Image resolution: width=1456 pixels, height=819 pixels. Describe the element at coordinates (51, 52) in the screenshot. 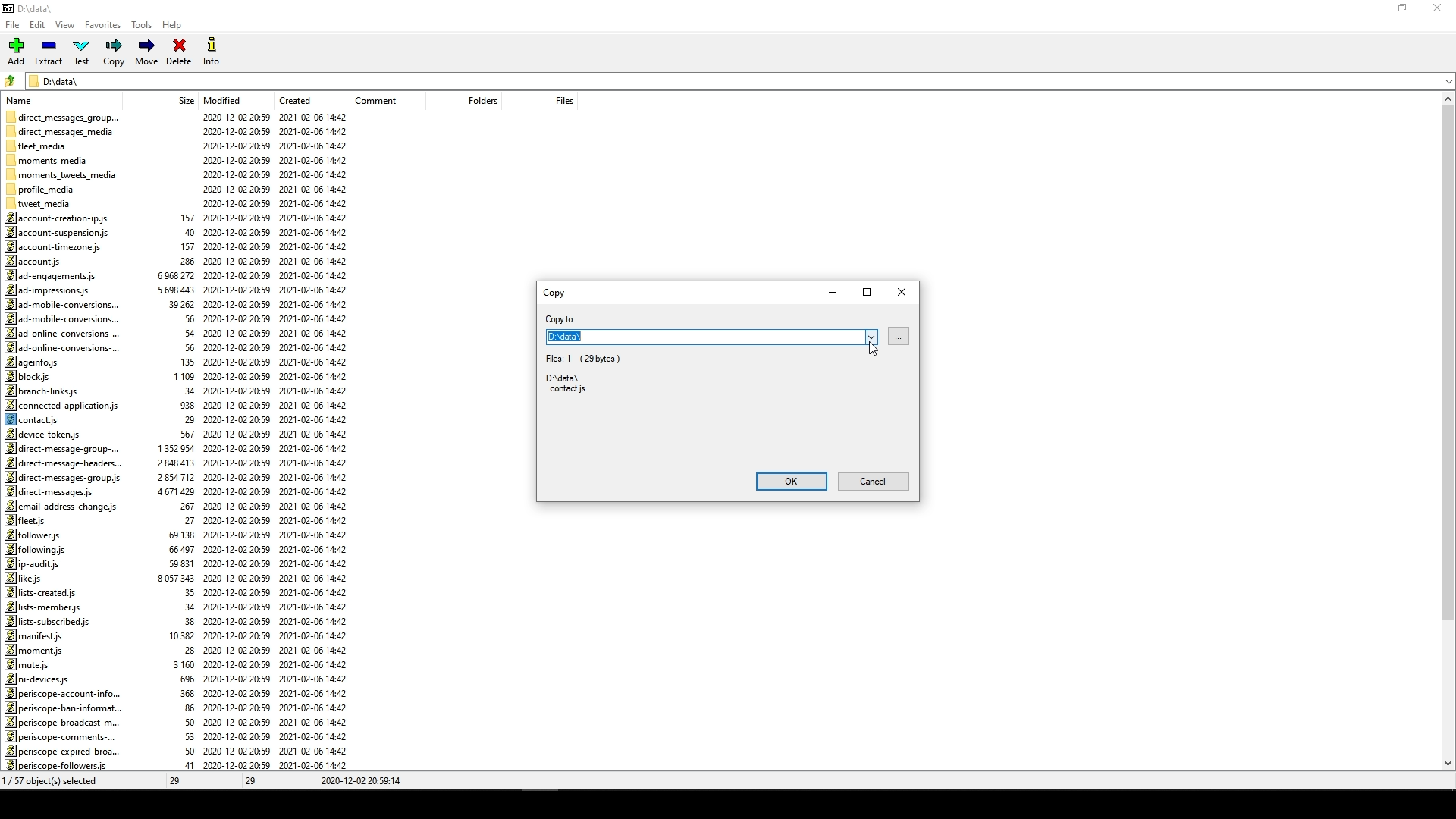

I see `Extract` at that location.